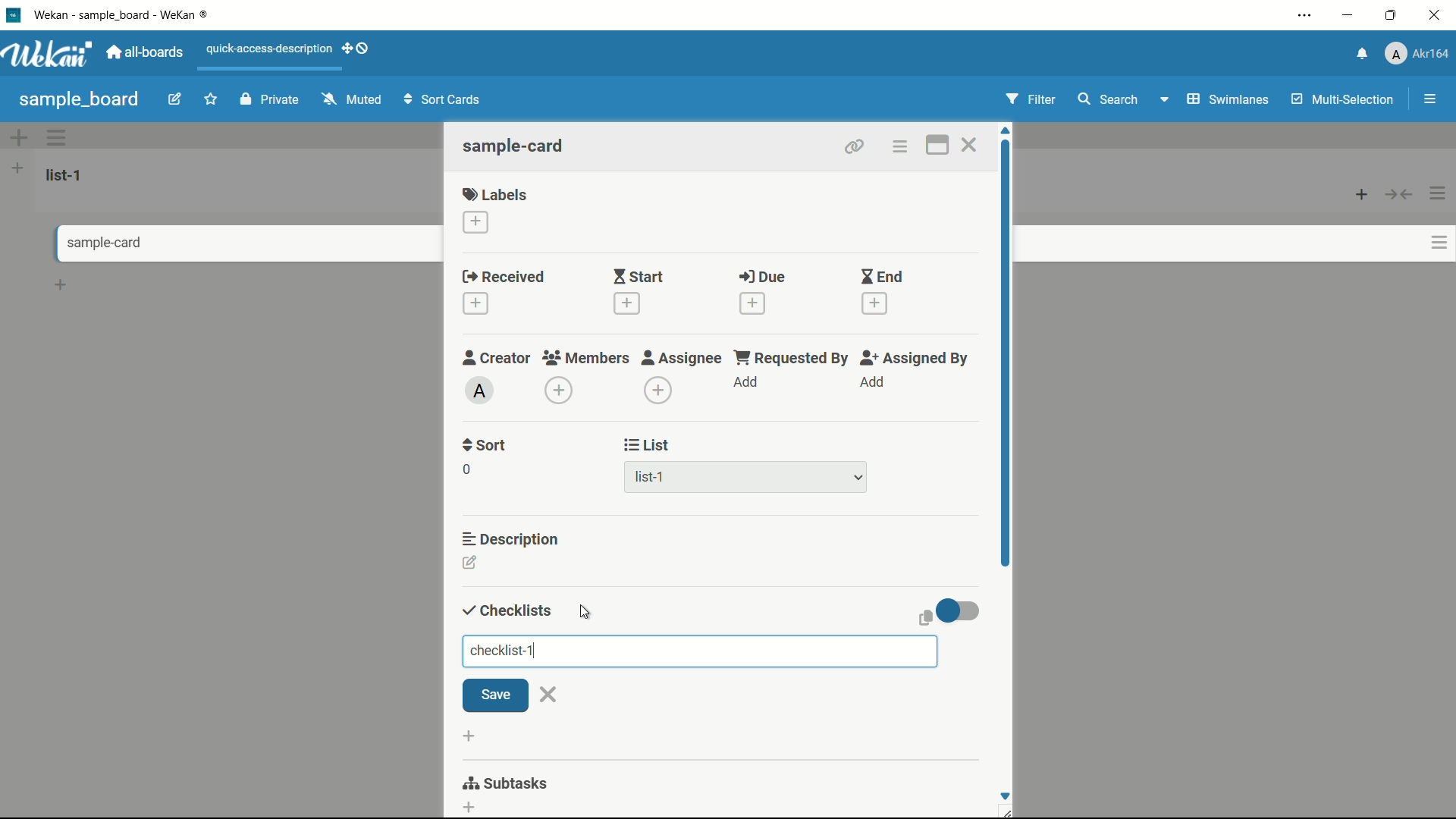 This screenshot has width=1456, height=819. What do you see at coordinates (968, 147) in the screenshot?
I see `close card` at bounding box center [968, 147].